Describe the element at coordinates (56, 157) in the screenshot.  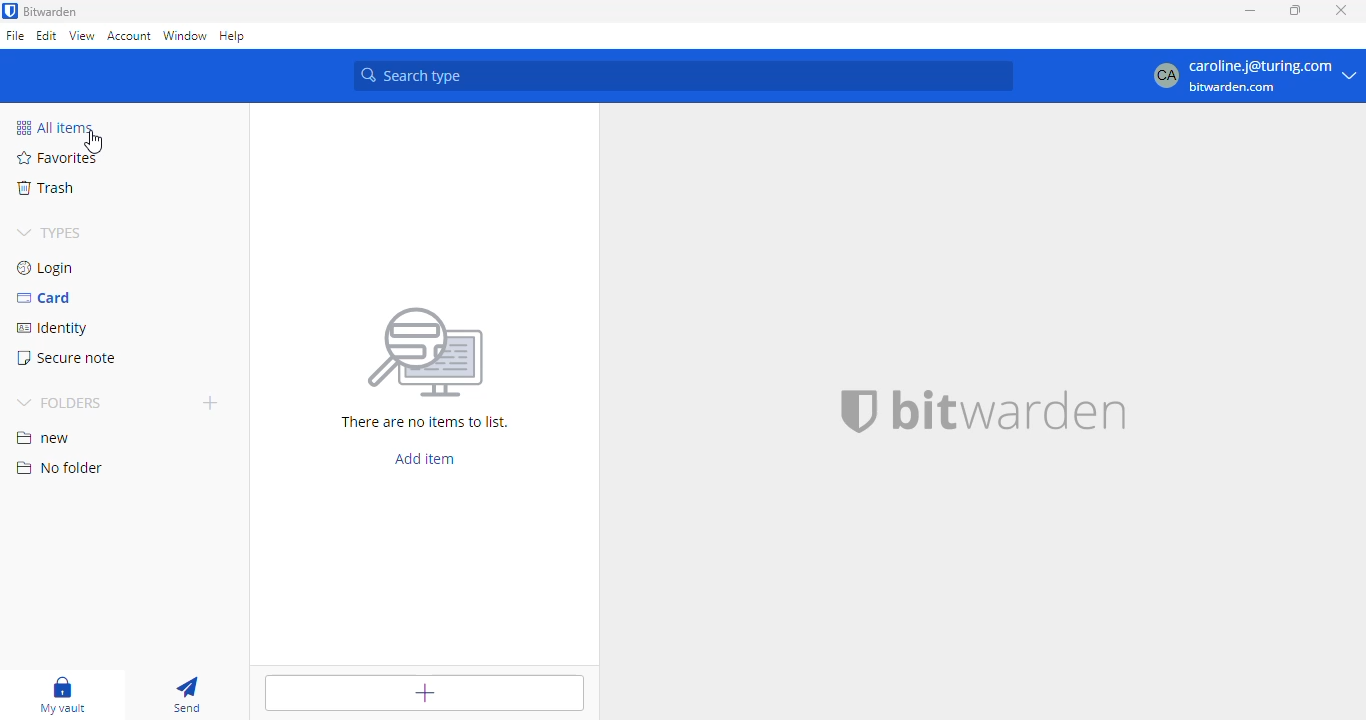
I see `favorites` at that location.